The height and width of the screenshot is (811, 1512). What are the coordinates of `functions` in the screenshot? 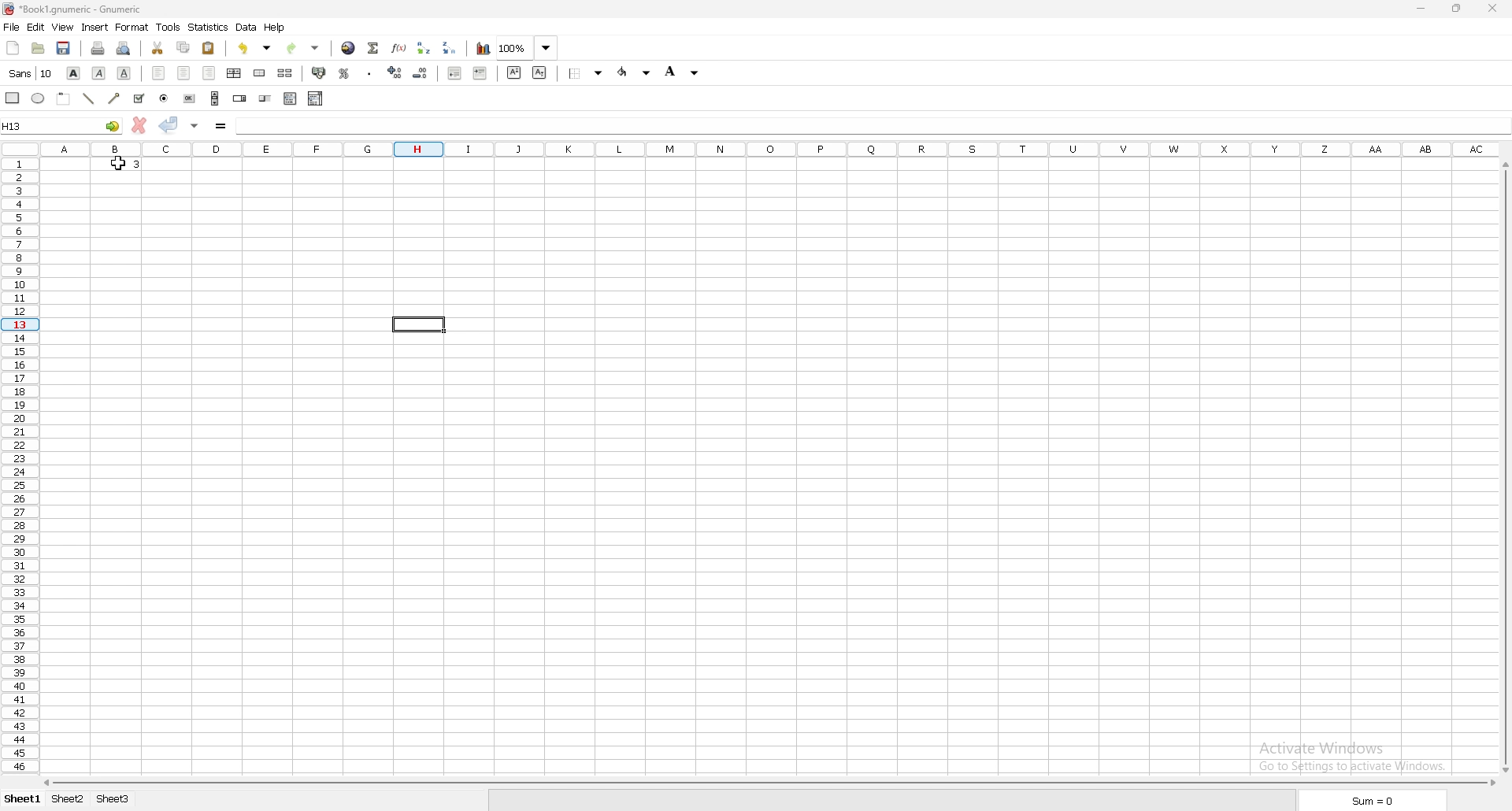 It's located at (399, 48).